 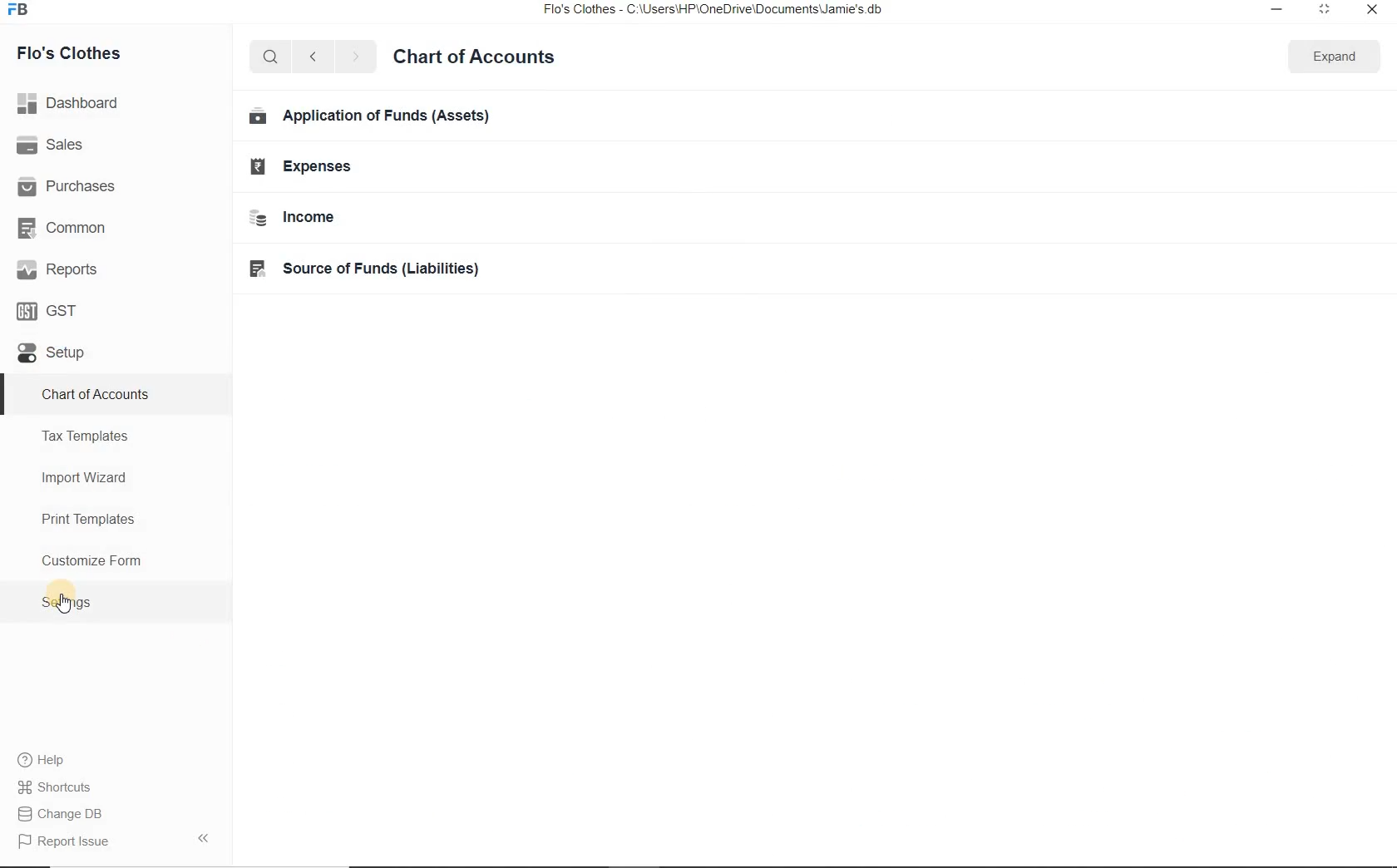 What do you see at coordinates (86, 481) in the screenshot?
I see `Import Wizard` at bounding box center [86, 481].